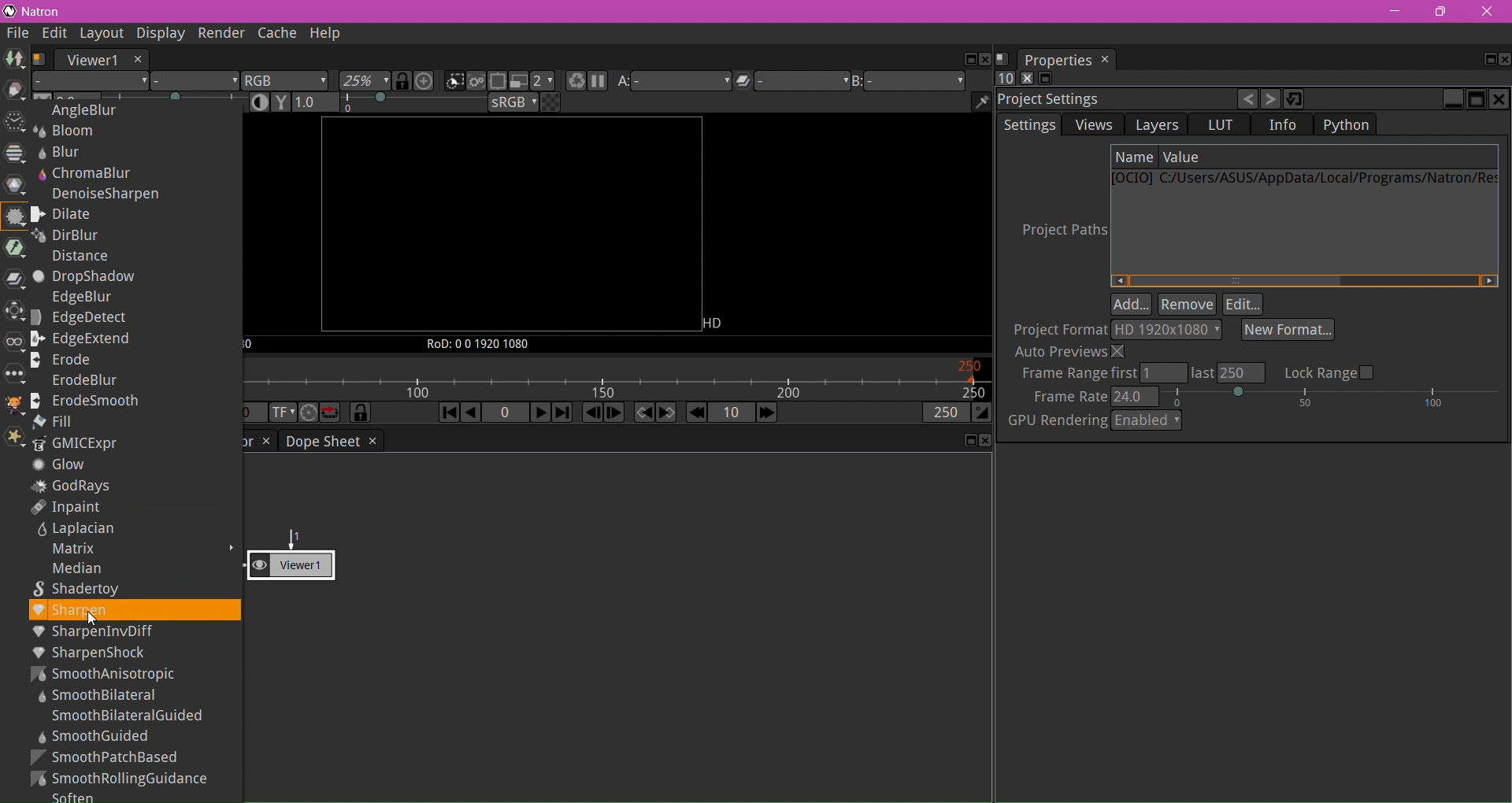 This screenshot has height=803, width=1512. I want to click on Time, so click(13, 124).